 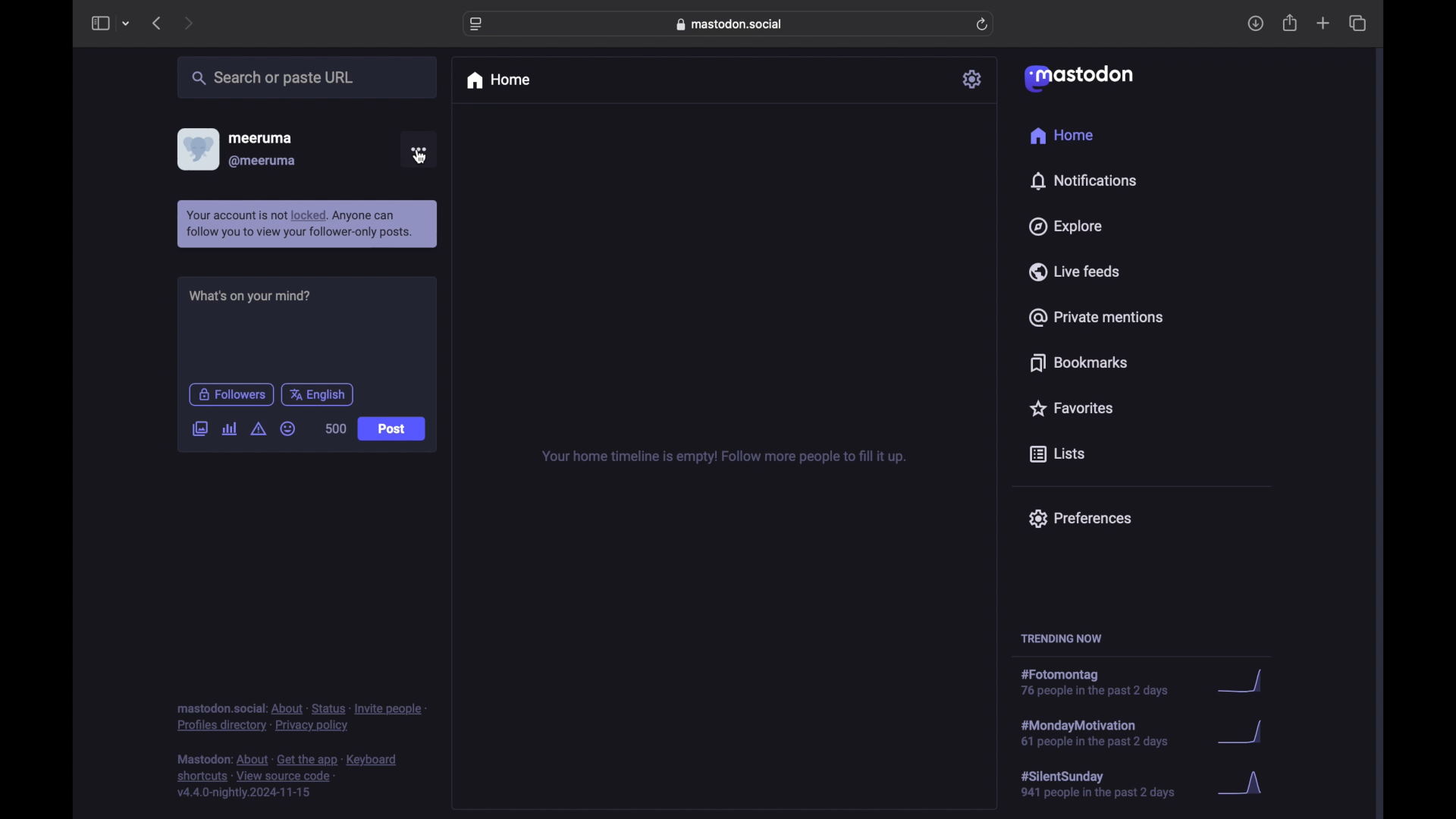 I want to click on next, so click(x=188, y=23).